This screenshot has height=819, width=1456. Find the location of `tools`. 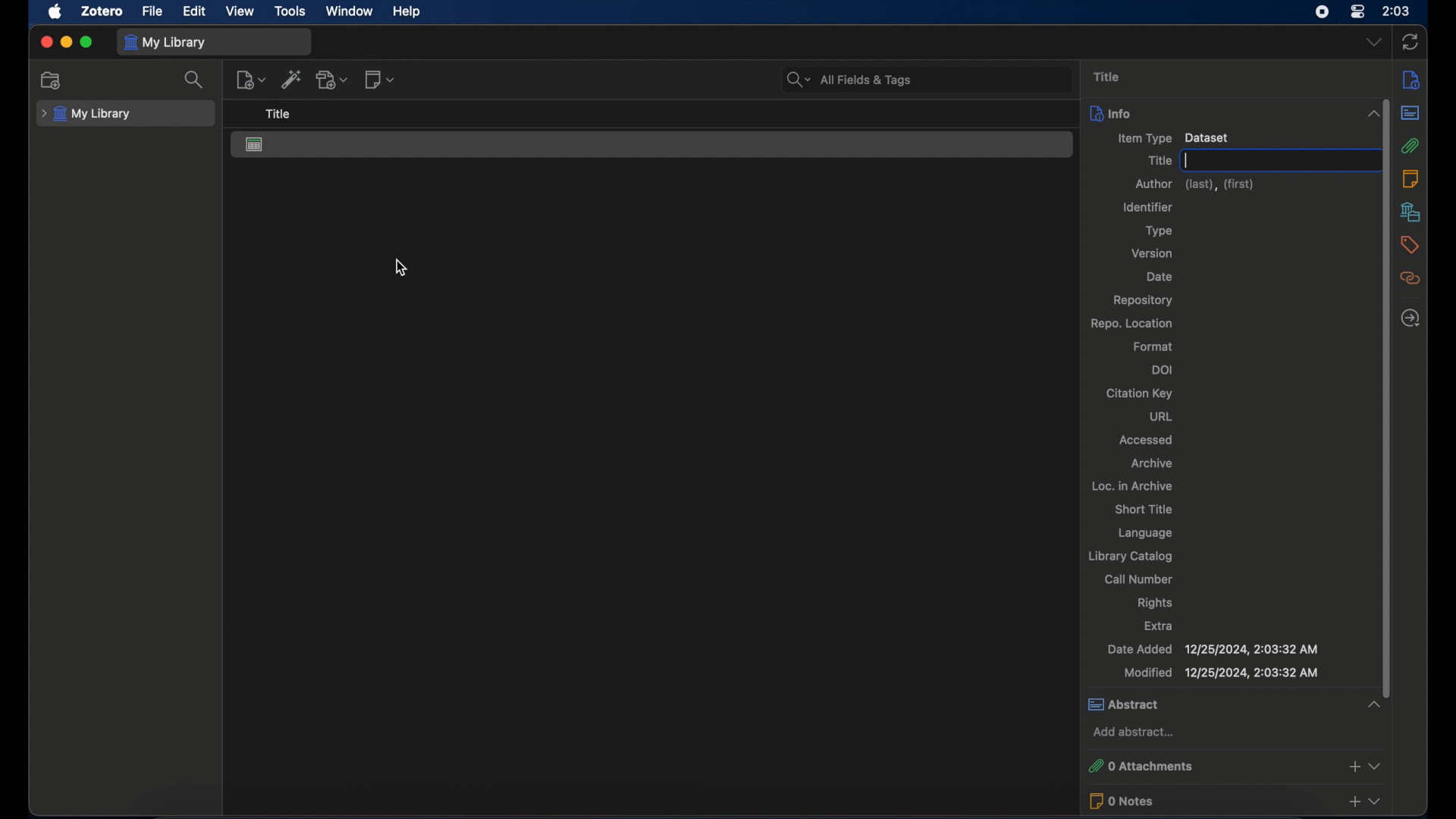

tools is located at coordinates (290, 11).